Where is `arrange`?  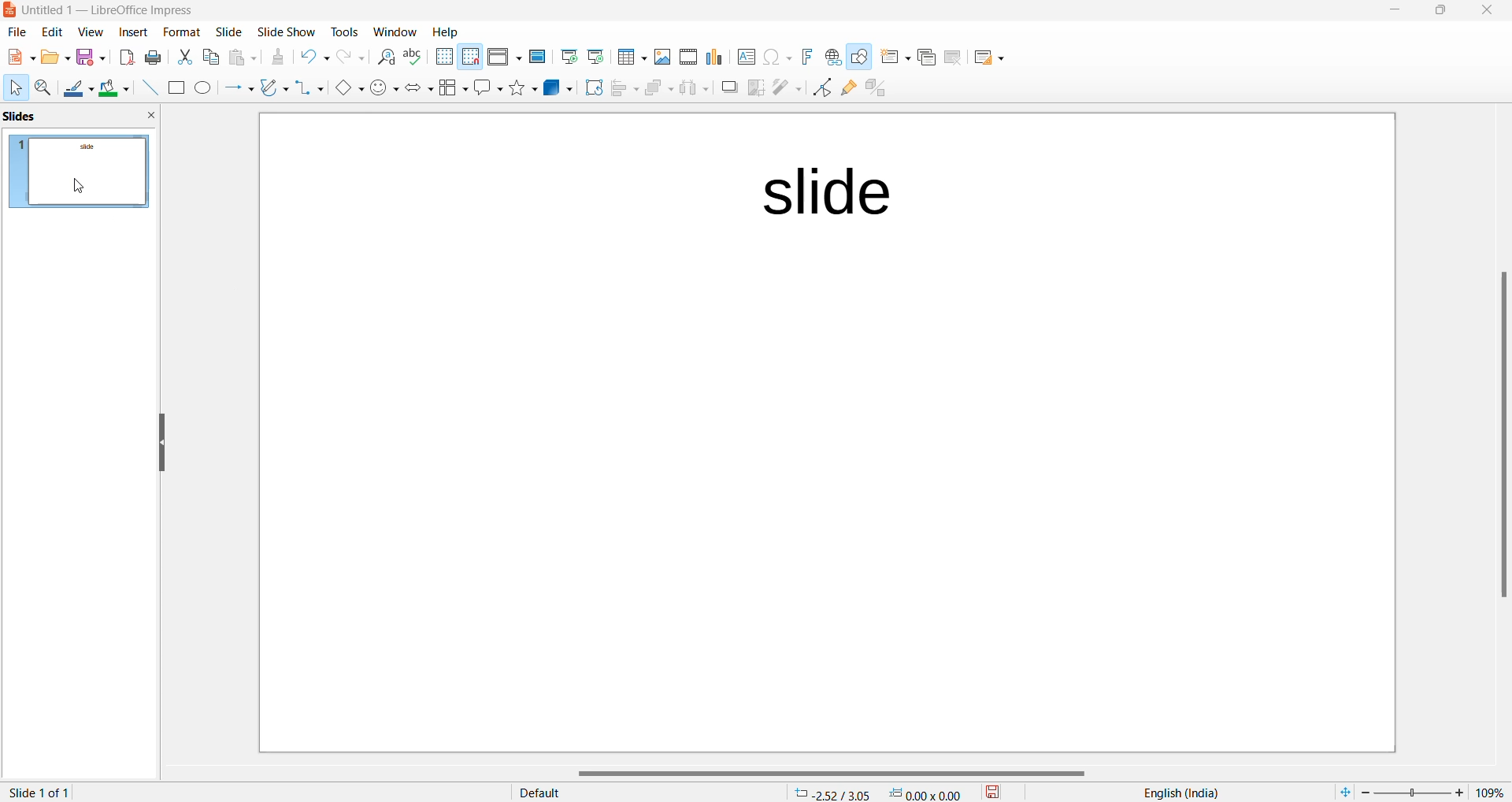 arrange is located at coordinates (658, 91).